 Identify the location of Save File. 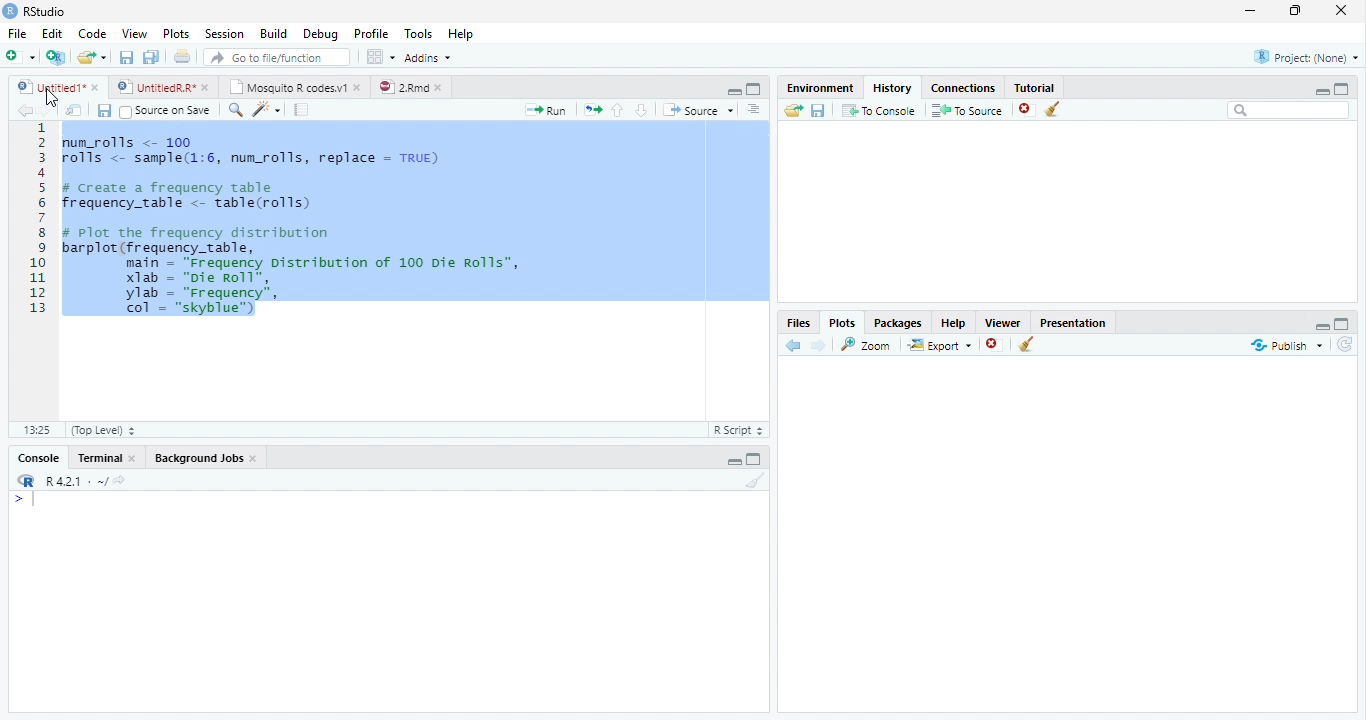
(819, 110).